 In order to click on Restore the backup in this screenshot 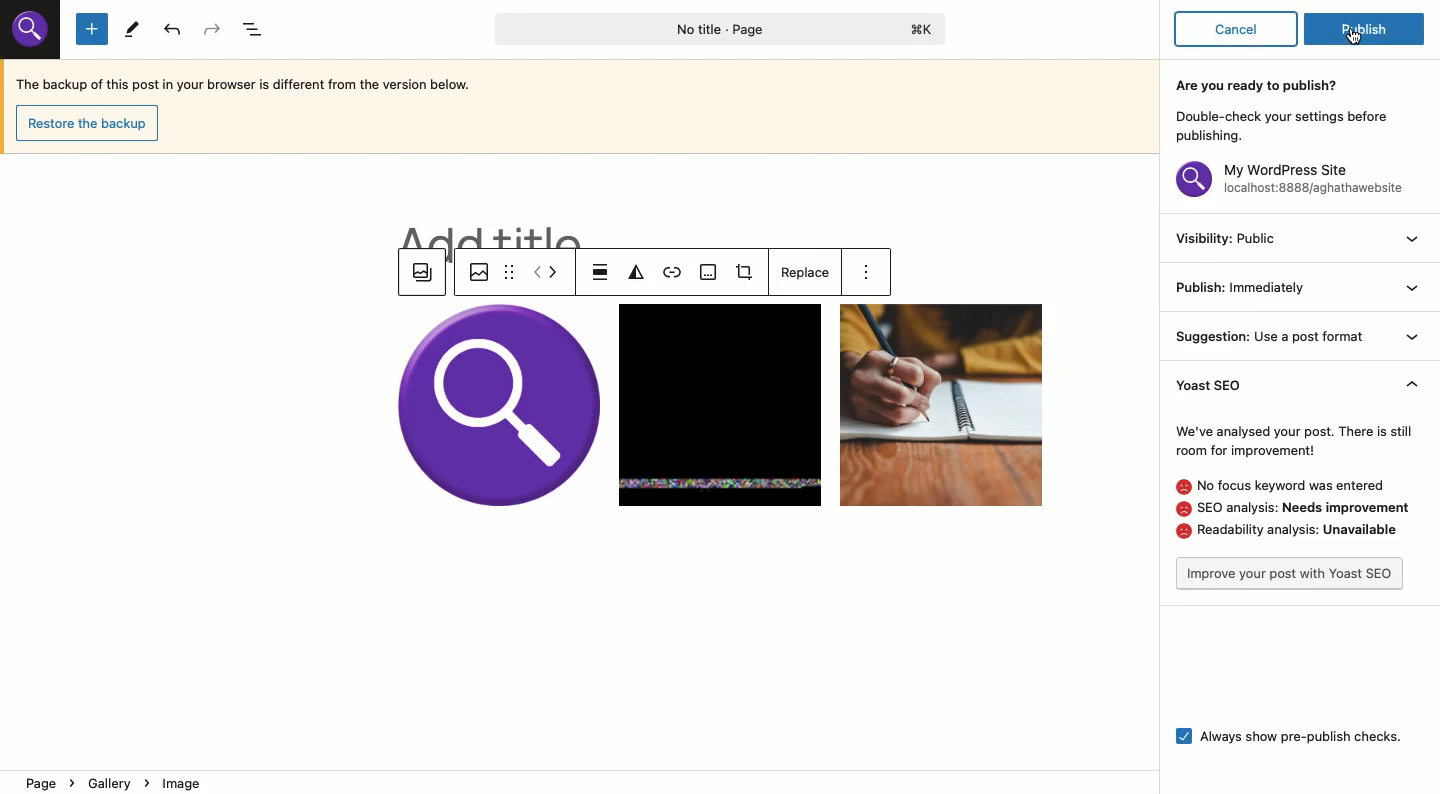, I will do `click(89, 123)`.